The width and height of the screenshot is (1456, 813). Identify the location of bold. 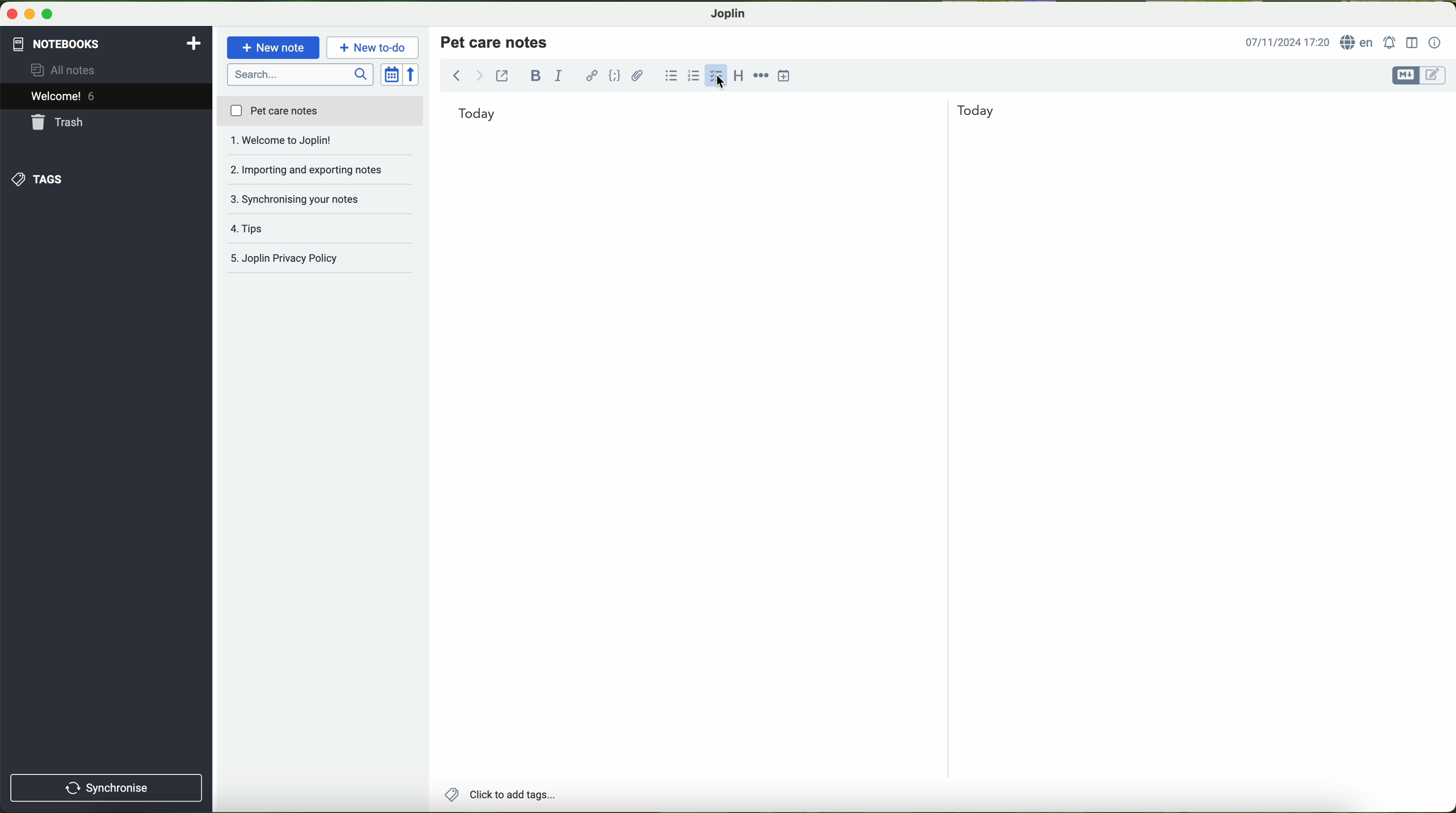
(536, 75).